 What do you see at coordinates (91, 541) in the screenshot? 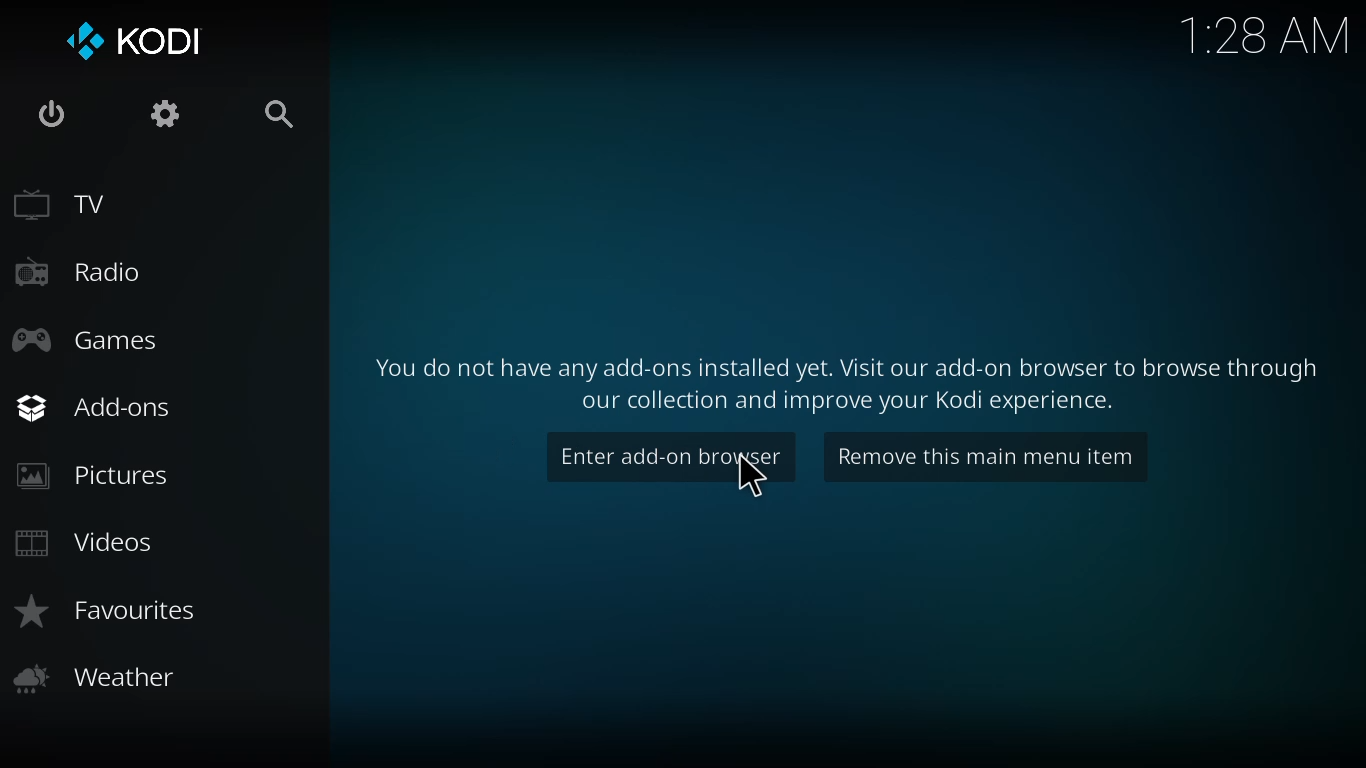
I see `videos` at bounding box center [91, 541].